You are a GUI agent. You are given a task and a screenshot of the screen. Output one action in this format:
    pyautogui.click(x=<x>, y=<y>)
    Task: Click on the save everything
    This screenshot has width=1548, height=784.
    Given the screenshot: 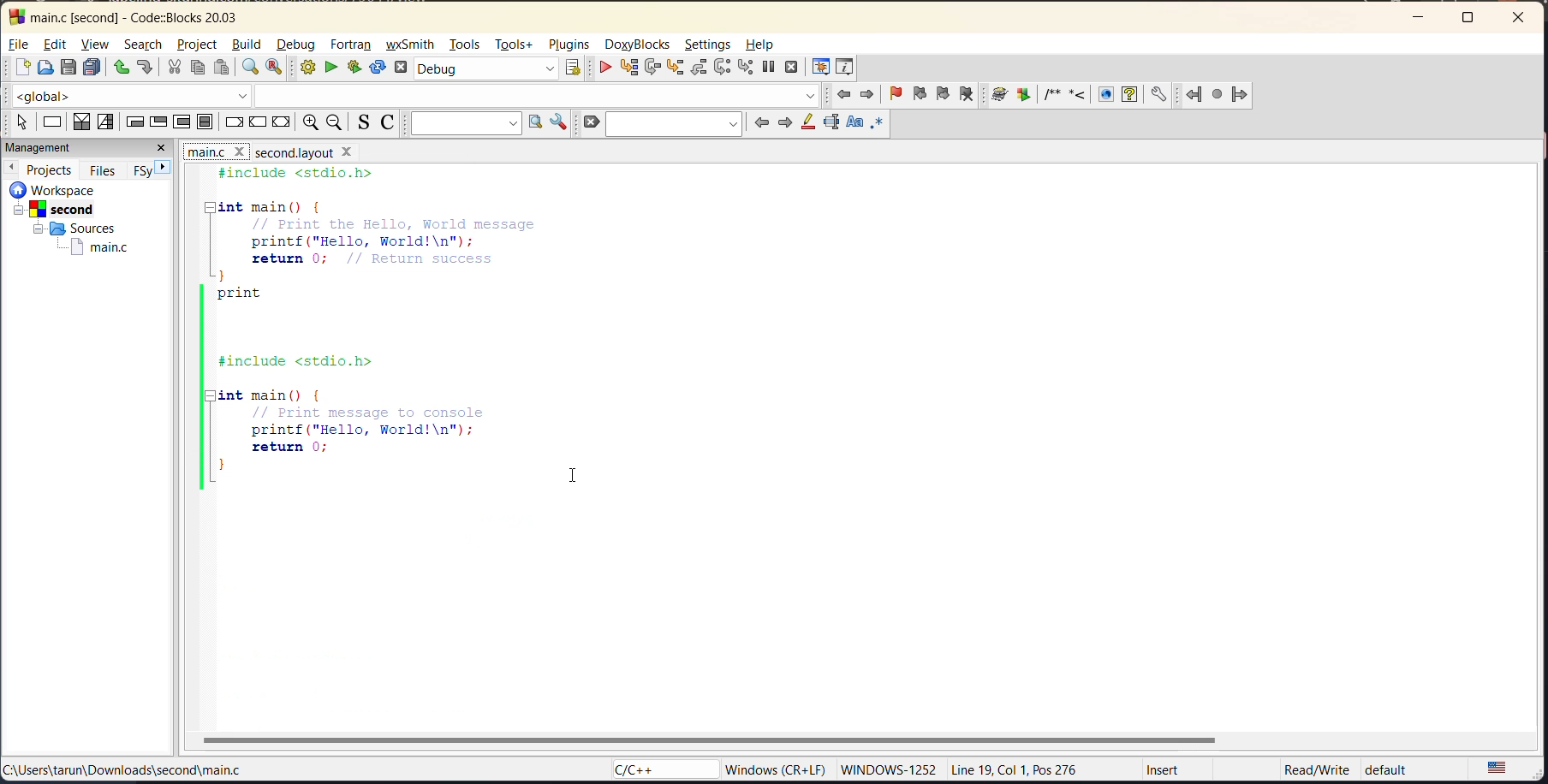 What is the action you would take?
    pyautogui.click(x=90, y=68)
    